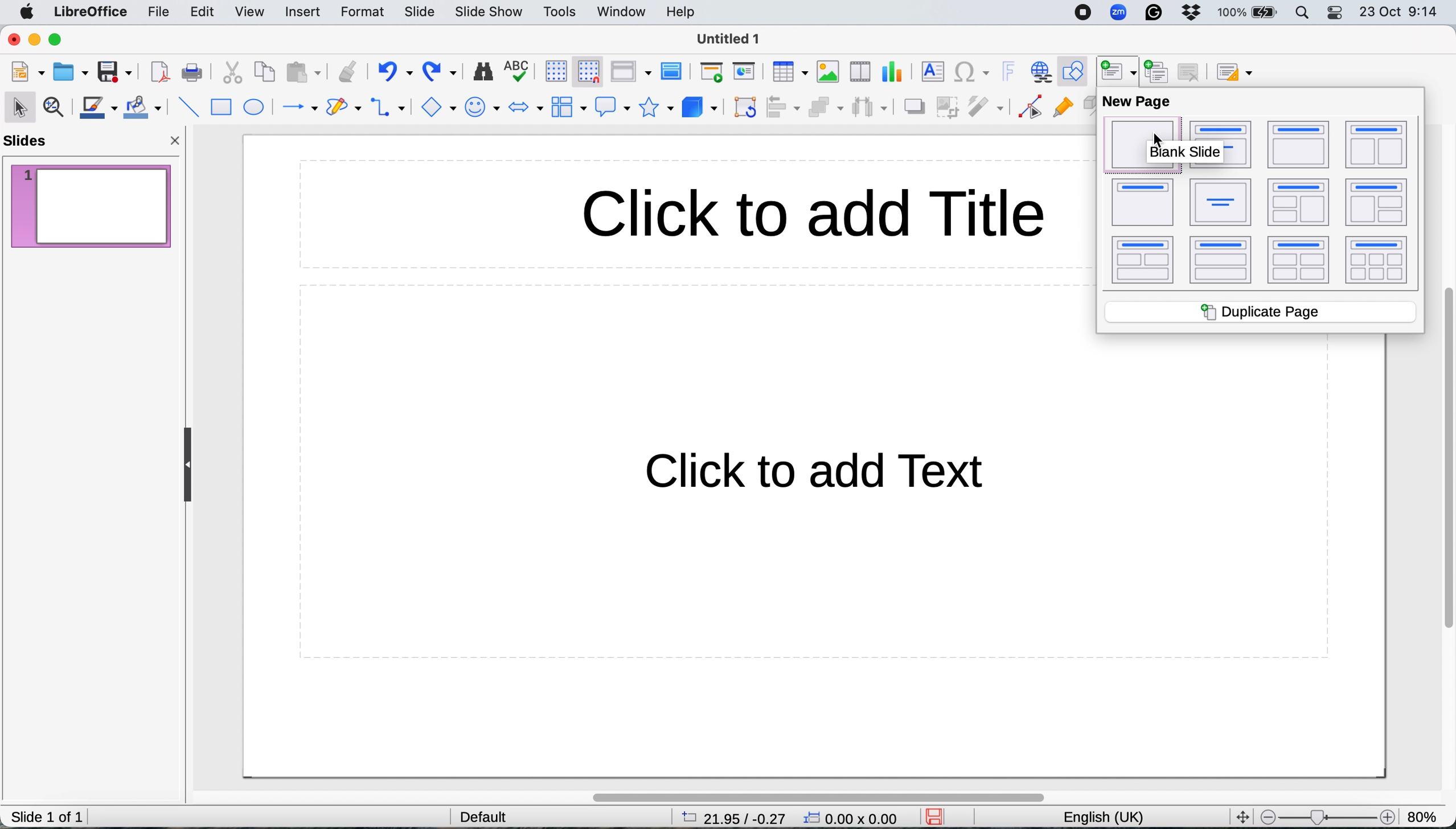  Describe the element at coordinates (824, 109) in the screenshot. I see `arrange` at that location.